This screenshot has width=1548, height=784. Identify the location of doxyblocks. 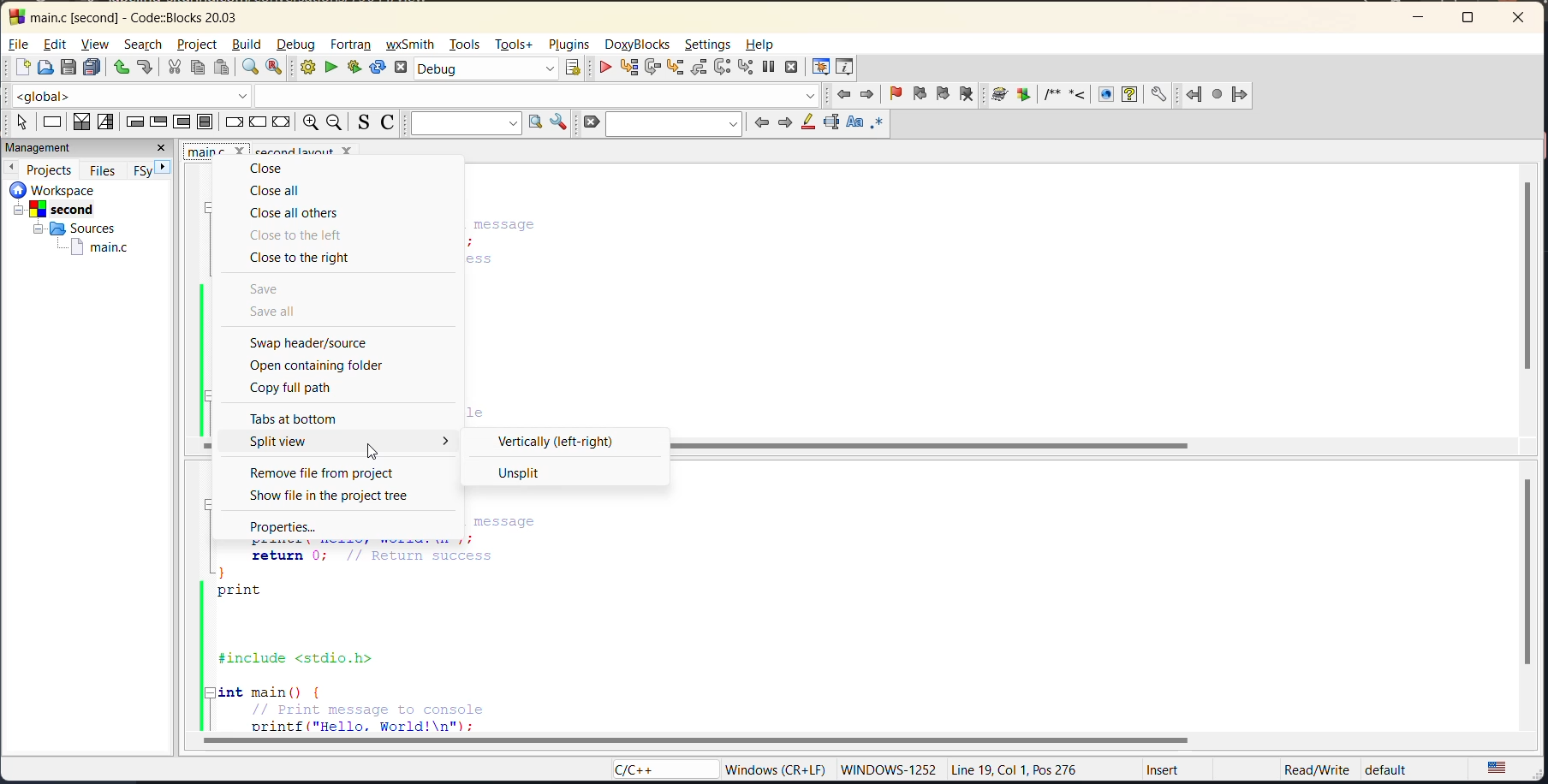
(639, 44).